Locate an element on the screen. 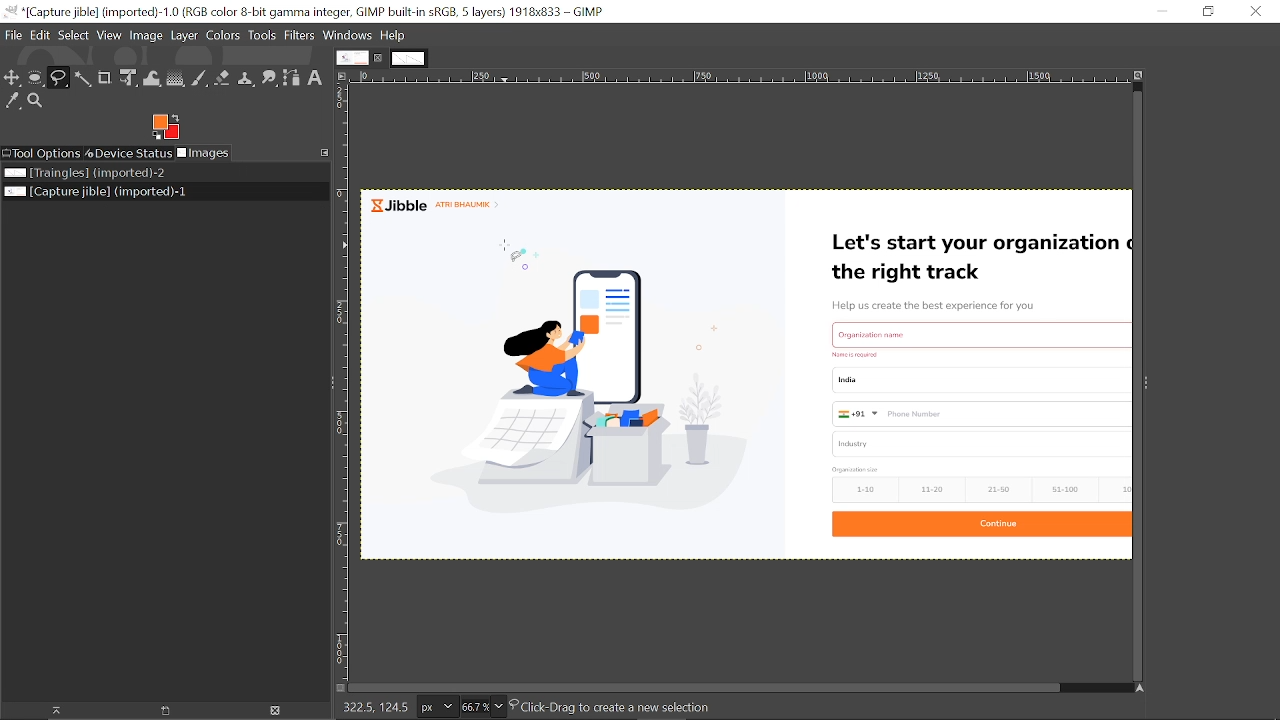 The width and height of the screenshot is (1280, 720). Edit is located at coordinates (41, 35).